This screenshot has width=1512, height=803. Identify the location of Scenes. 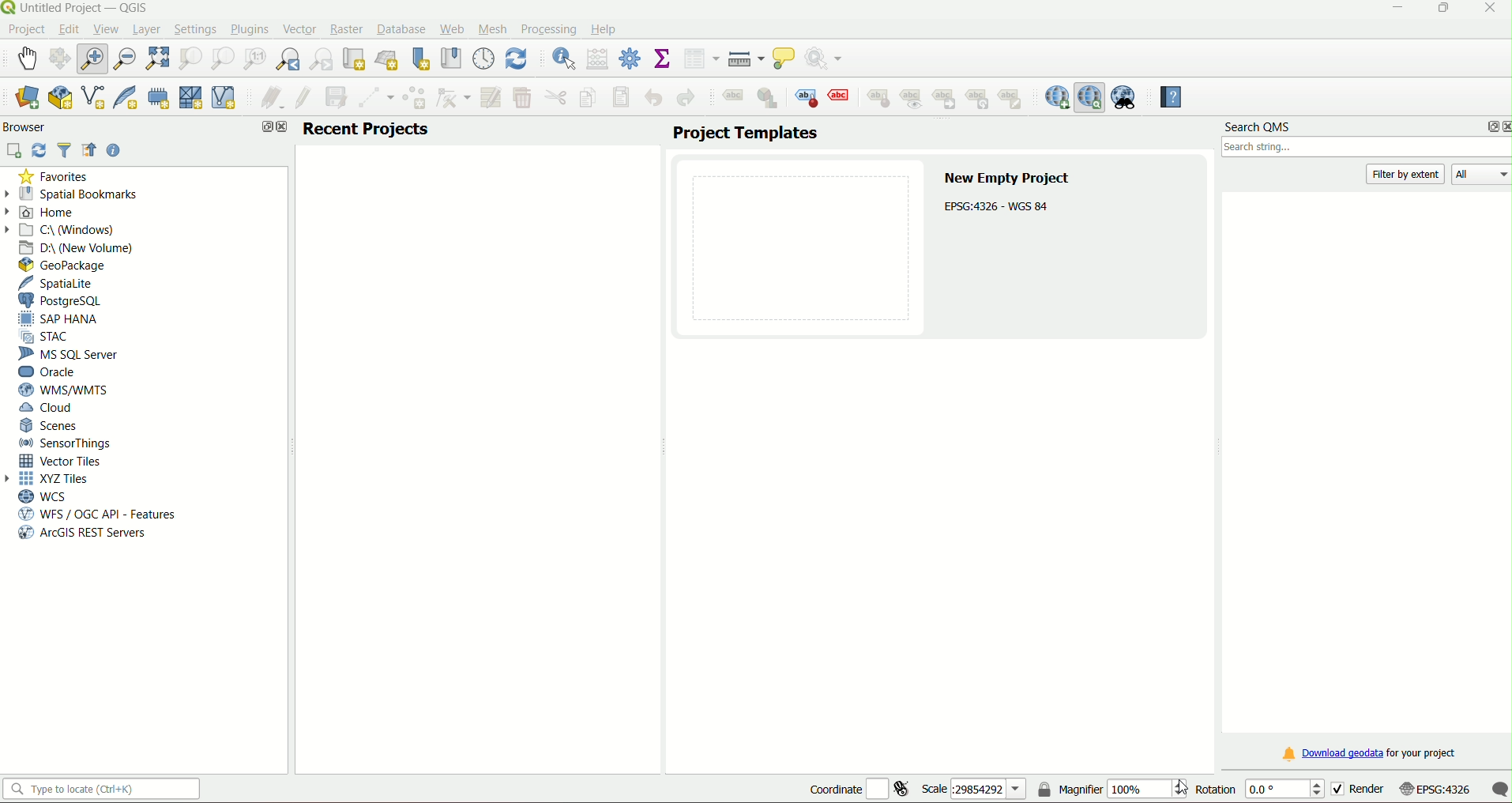
(51, 425).